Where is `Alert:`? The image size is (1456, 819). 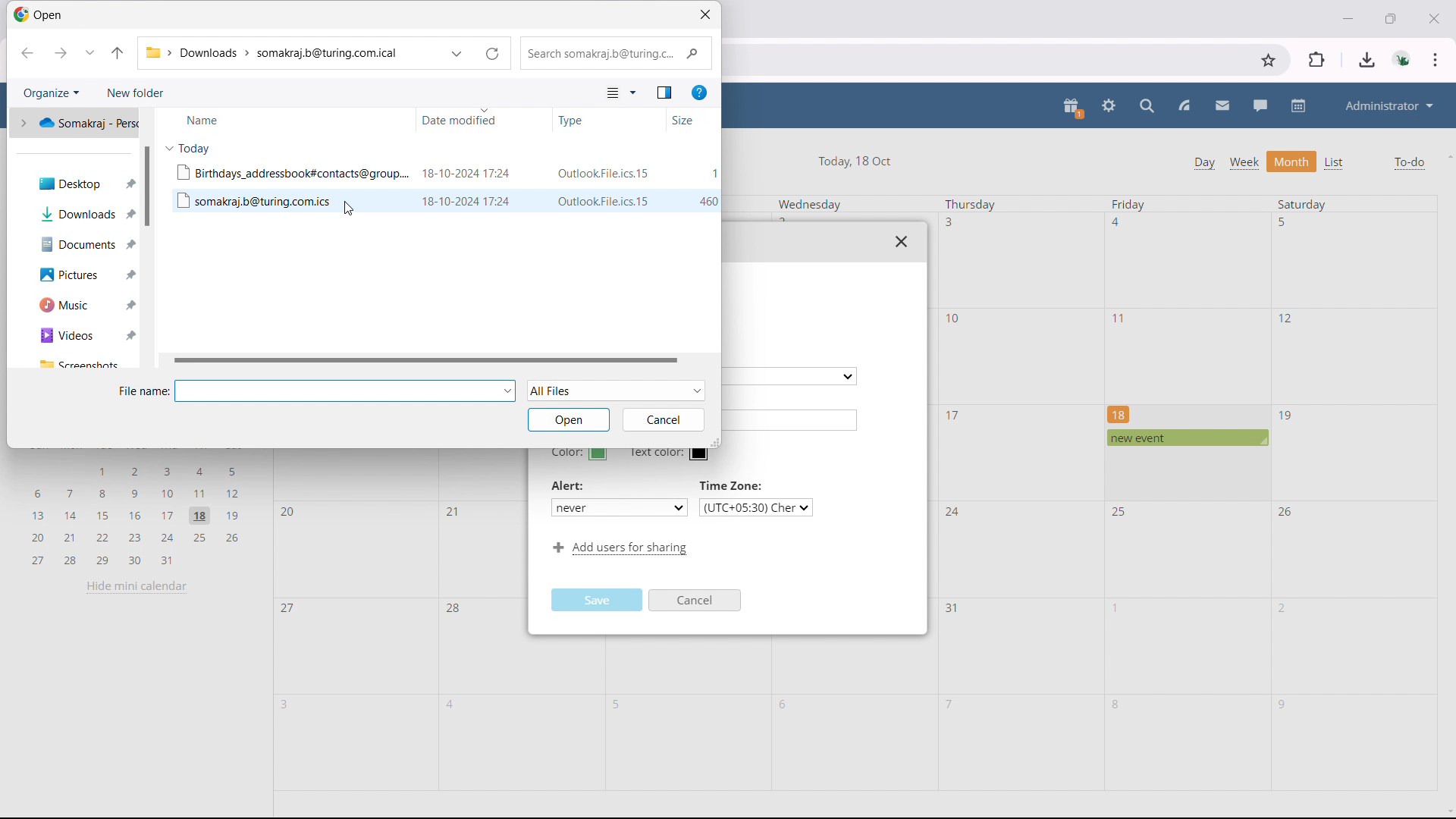
Alert: is located at coordinates (570, 486).